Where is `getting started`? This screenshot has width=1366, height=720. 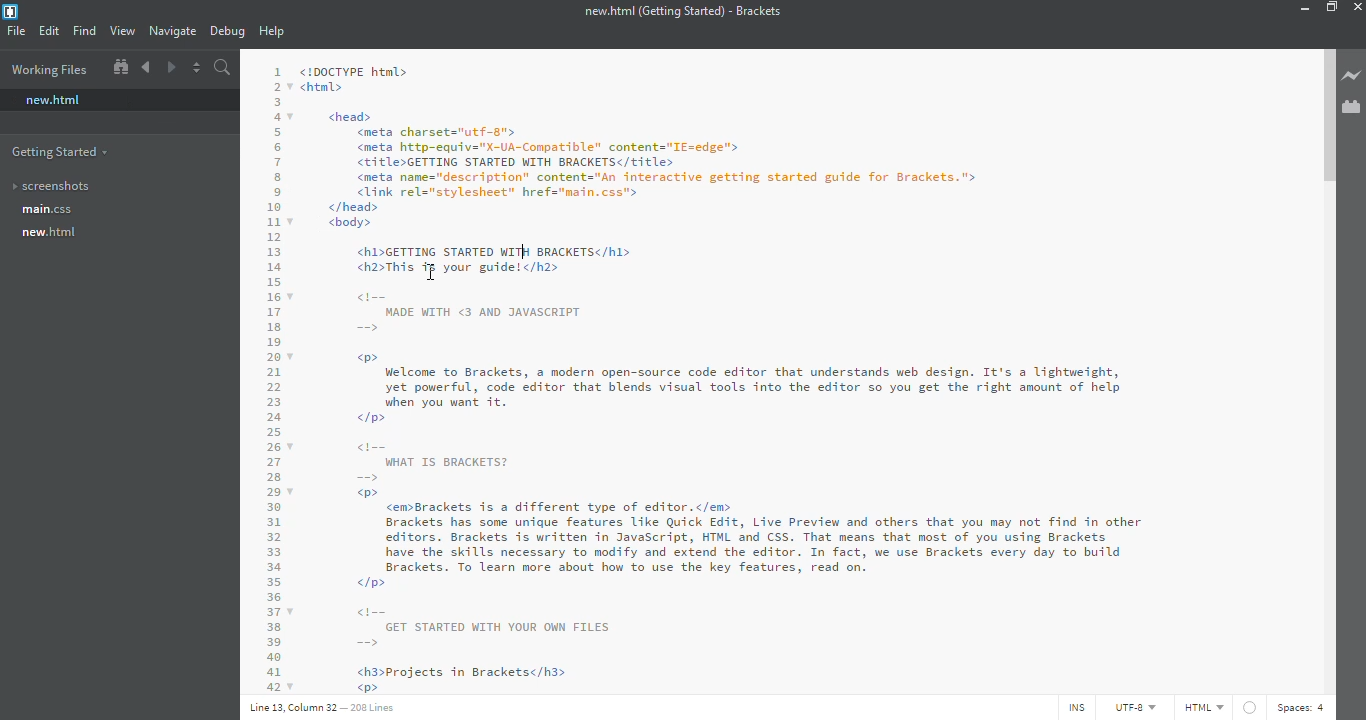 getting started is located at coordinates (63, 151).